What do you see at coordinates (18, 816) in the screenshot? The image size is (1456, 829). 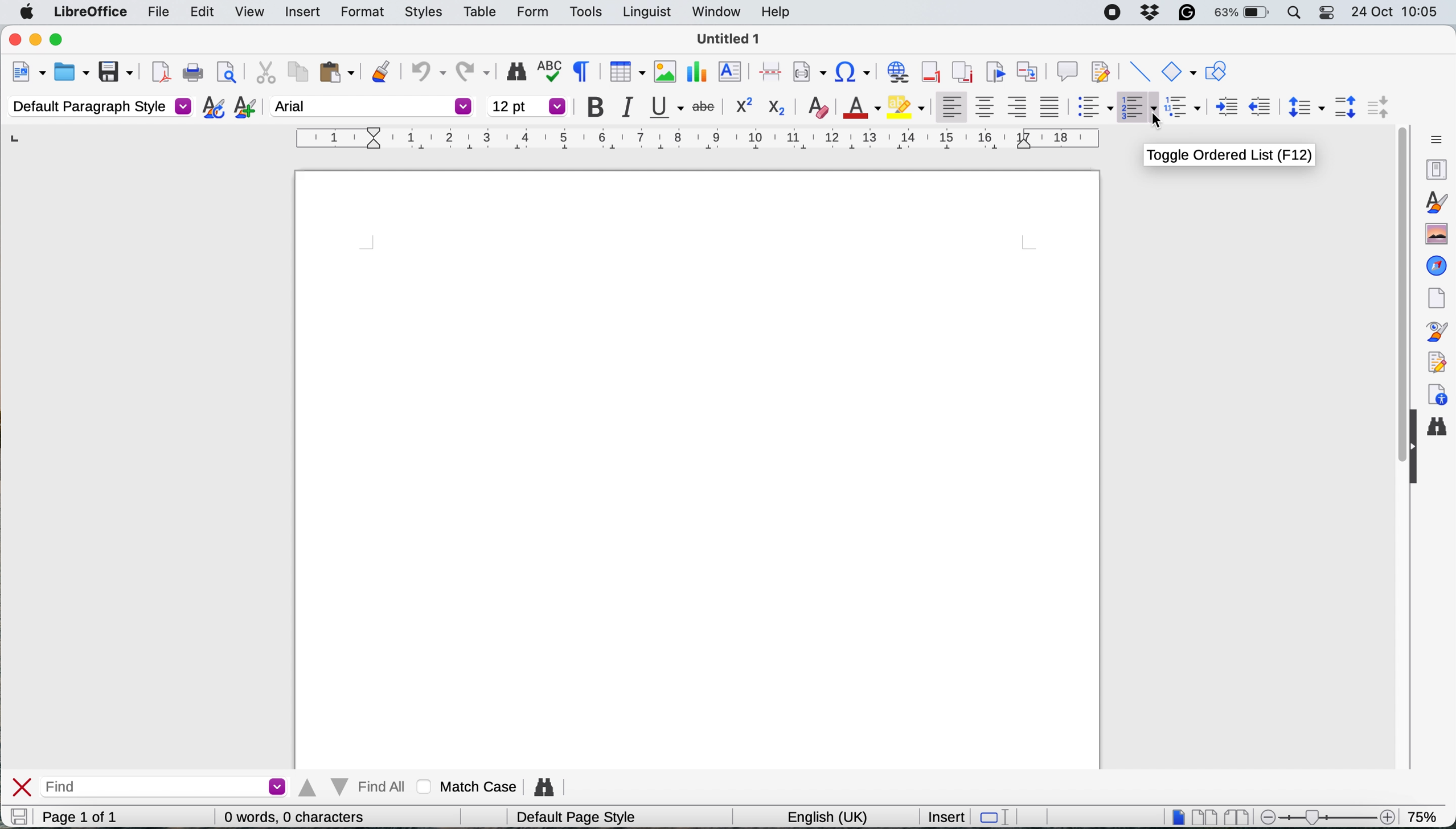 I see `save` at bounding box center [18, 816].